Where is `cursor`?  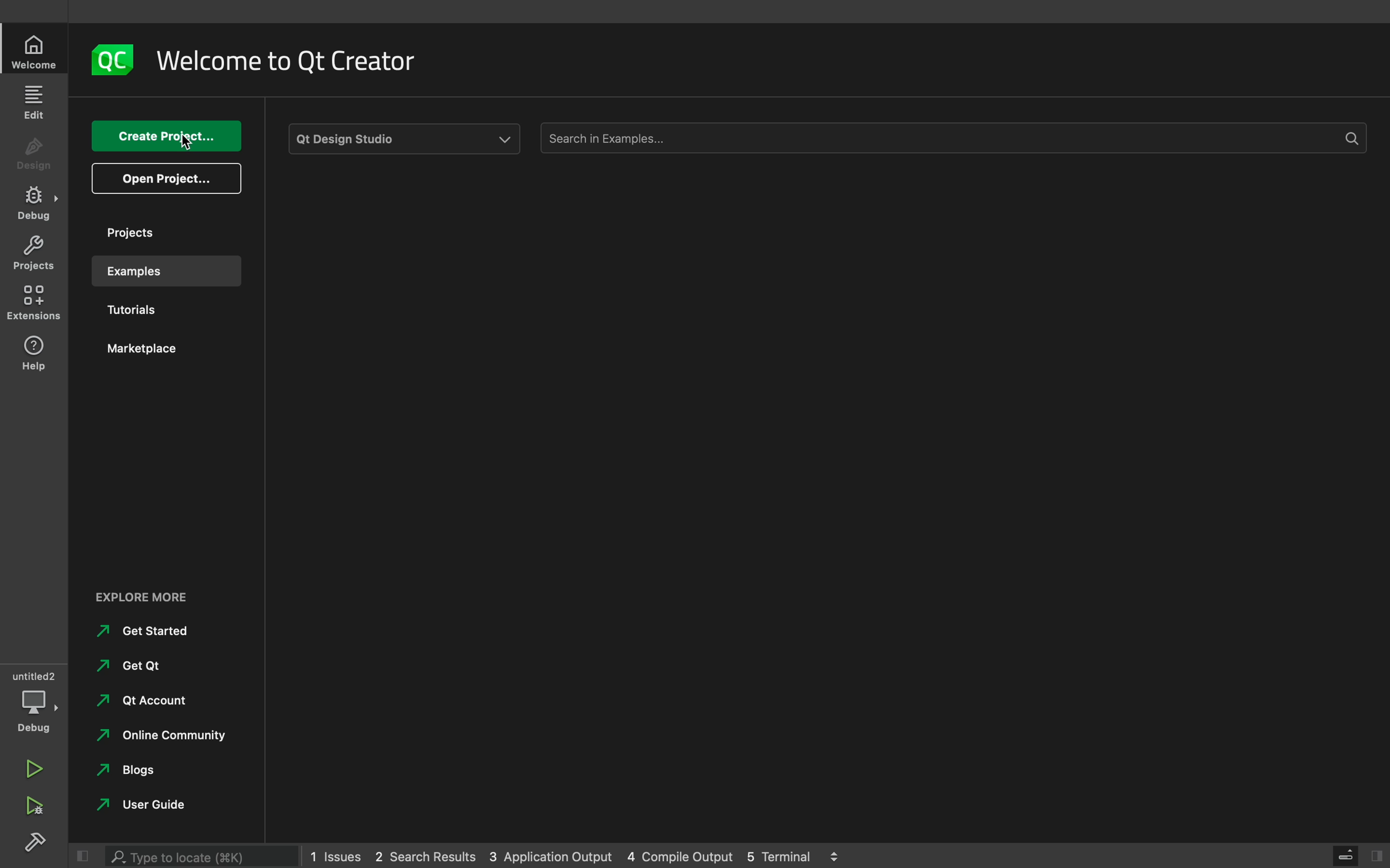
cursor is located at coordinates (184, 141).